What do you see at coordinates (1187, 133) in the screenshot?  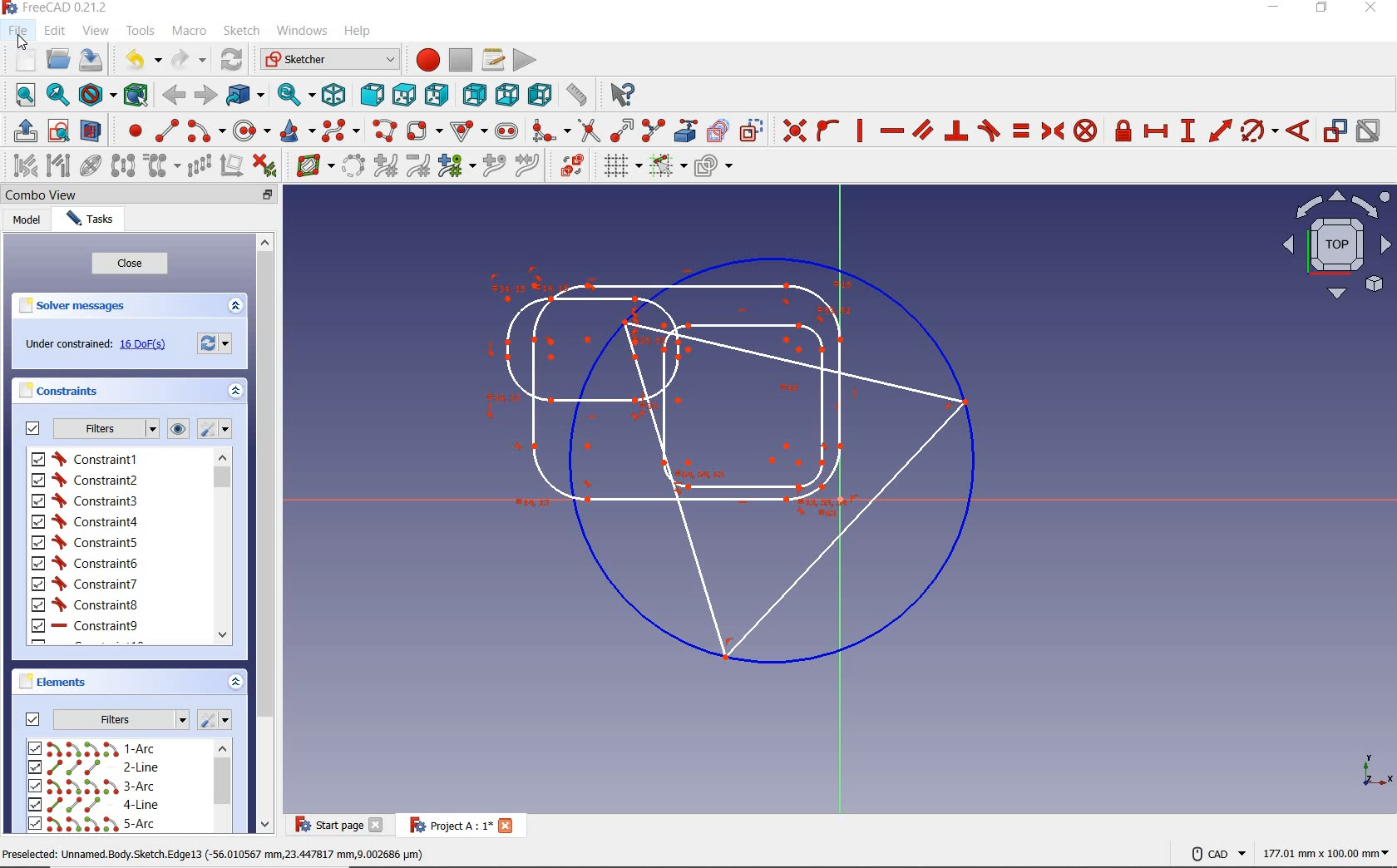 I see `constrain vertical distance` at bounding box center [1187, 133].